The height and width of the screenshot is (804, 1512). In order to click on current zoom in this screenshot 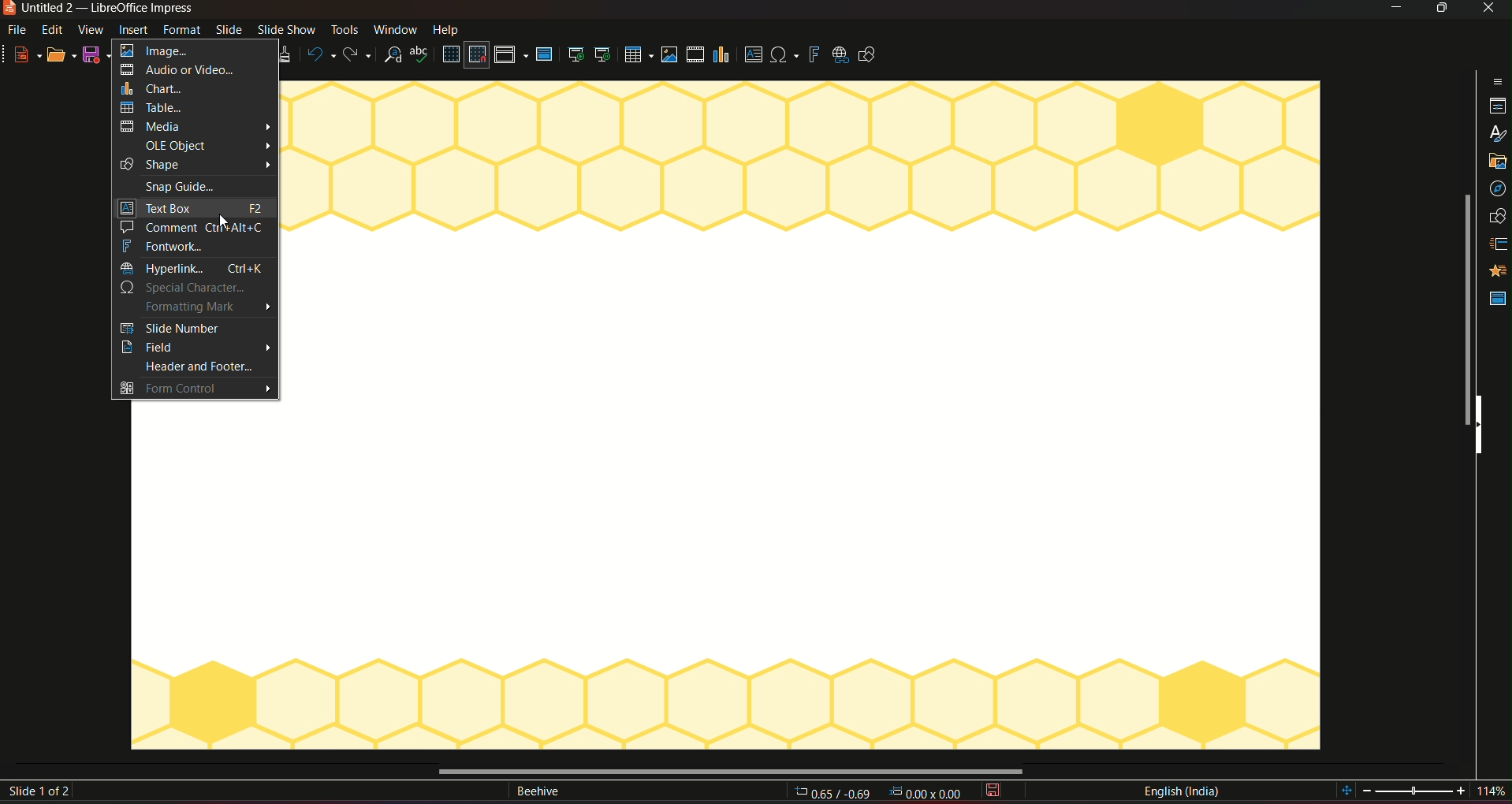, I will do `click(1496, 792)`.